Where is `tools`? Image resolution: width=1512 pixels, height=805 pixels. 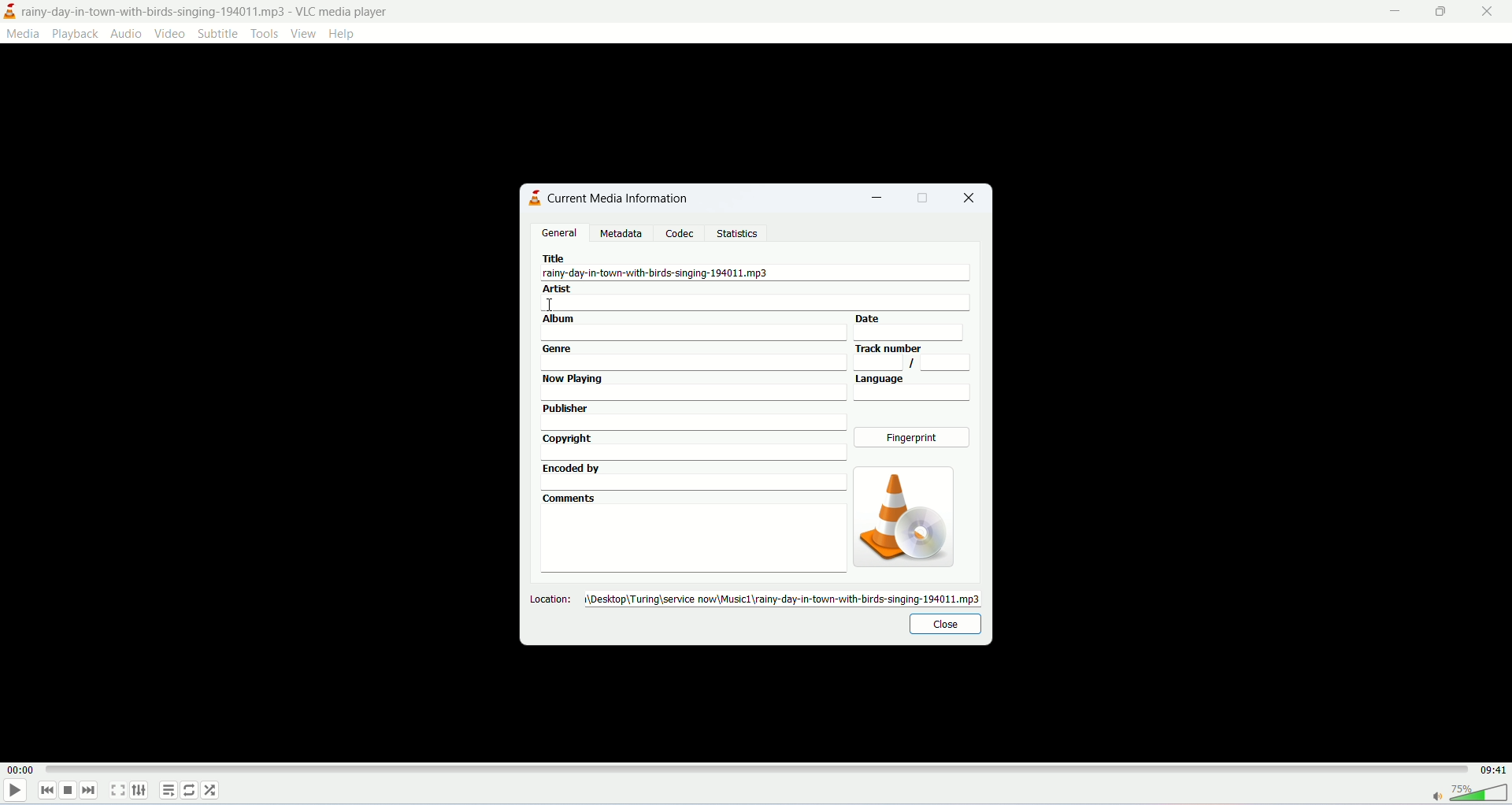 tools is located at coordinates (265, 34).